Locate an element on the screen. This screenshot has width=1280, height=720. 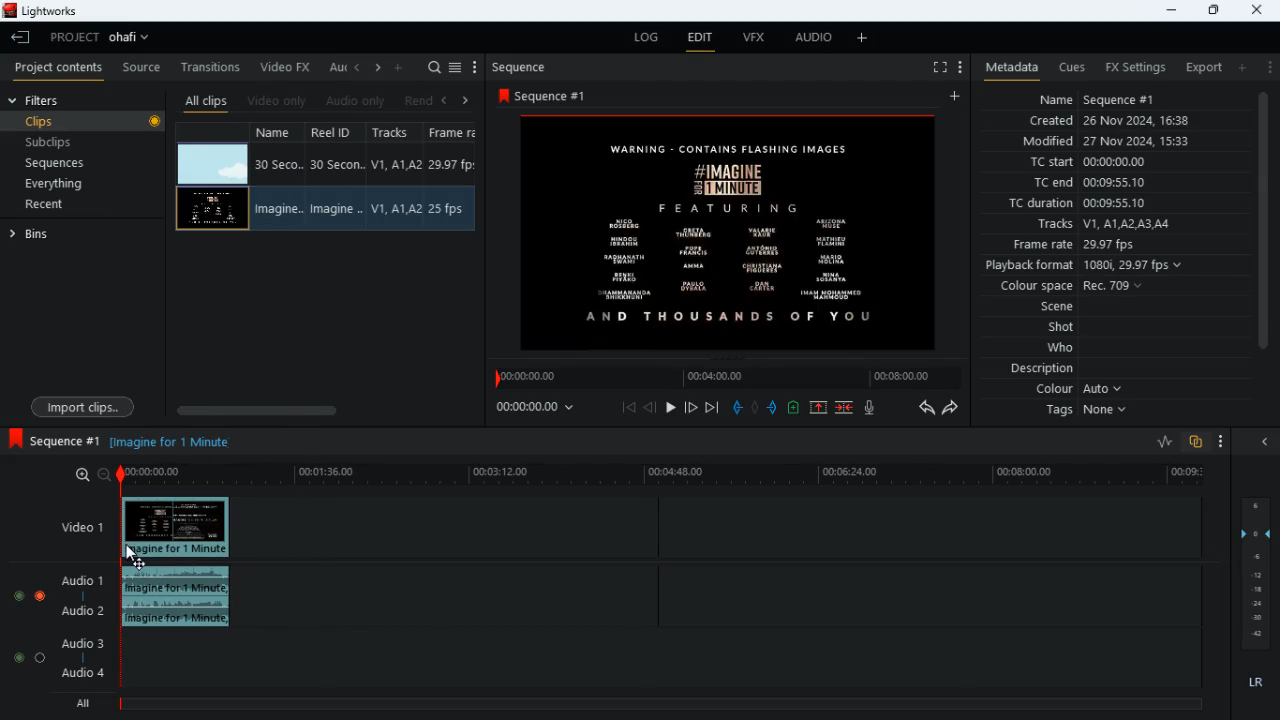
mic is located at coordinates (874, 410).